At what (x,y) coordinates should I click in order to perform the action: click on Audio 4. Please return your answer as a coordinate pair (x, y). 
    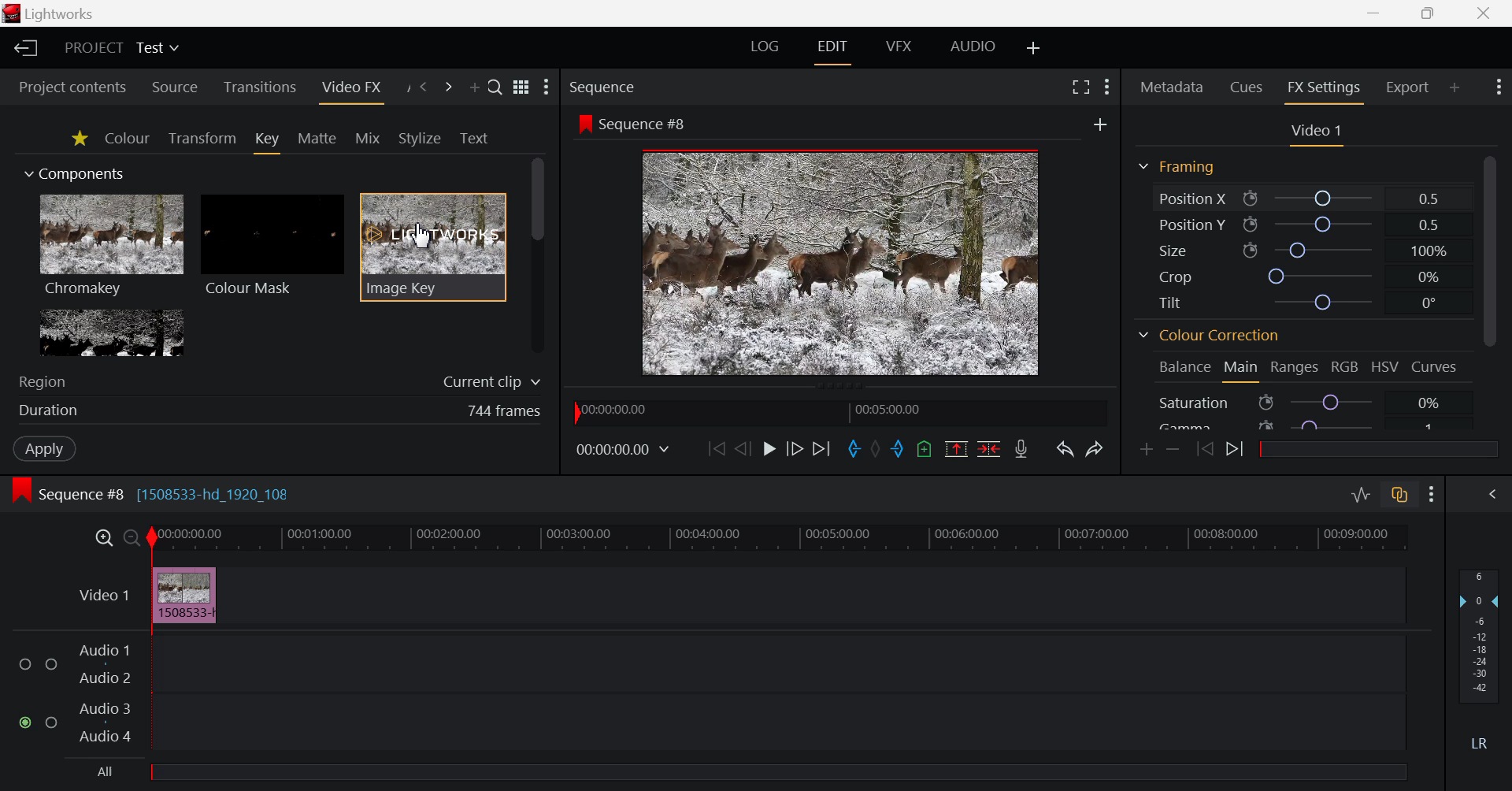
    Looking at the image, I should click on (104, 736).